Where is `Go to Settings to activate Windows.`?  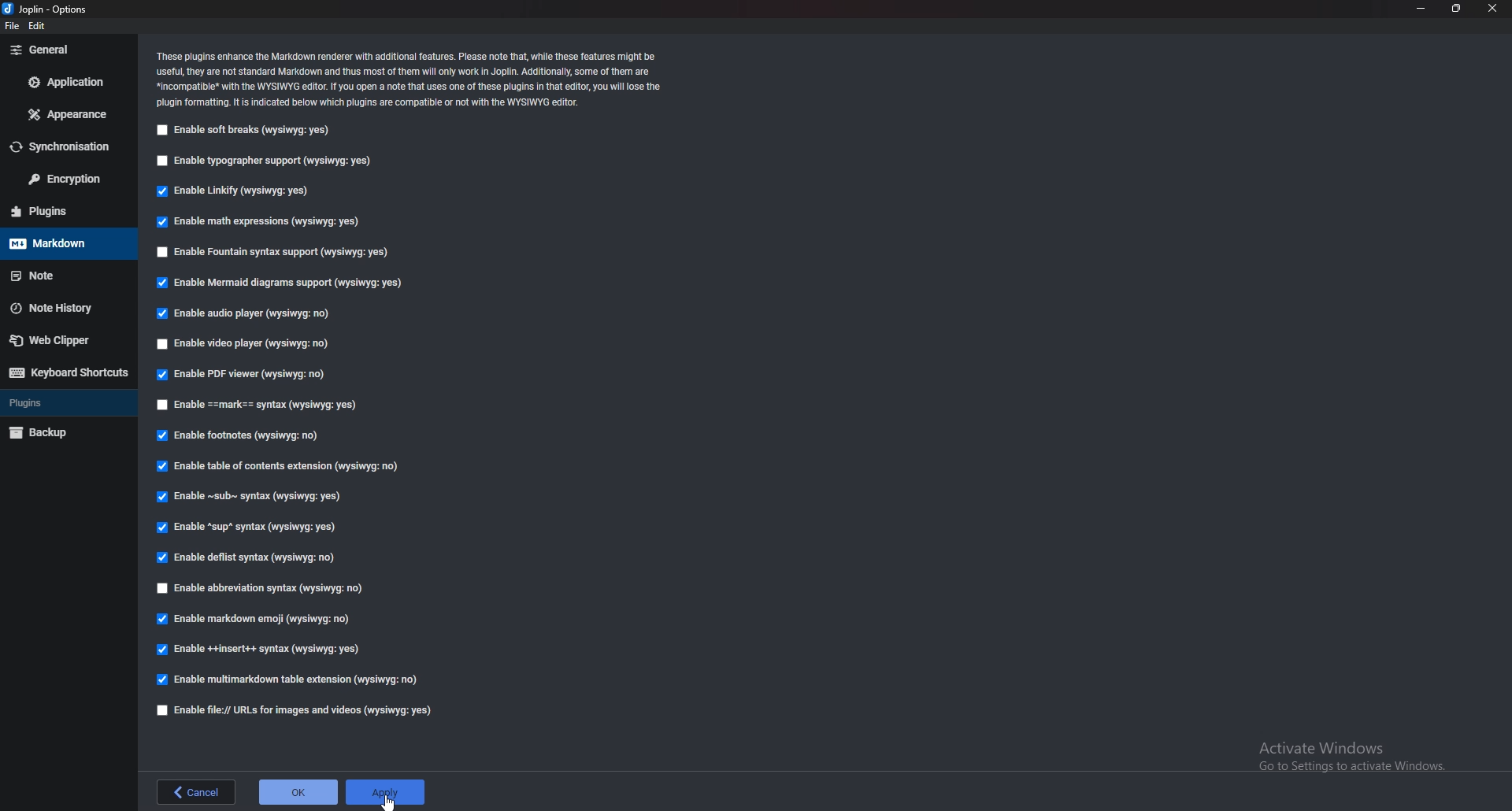
Go to Settings to activate Windows. is located at coordinates (1348, 768).